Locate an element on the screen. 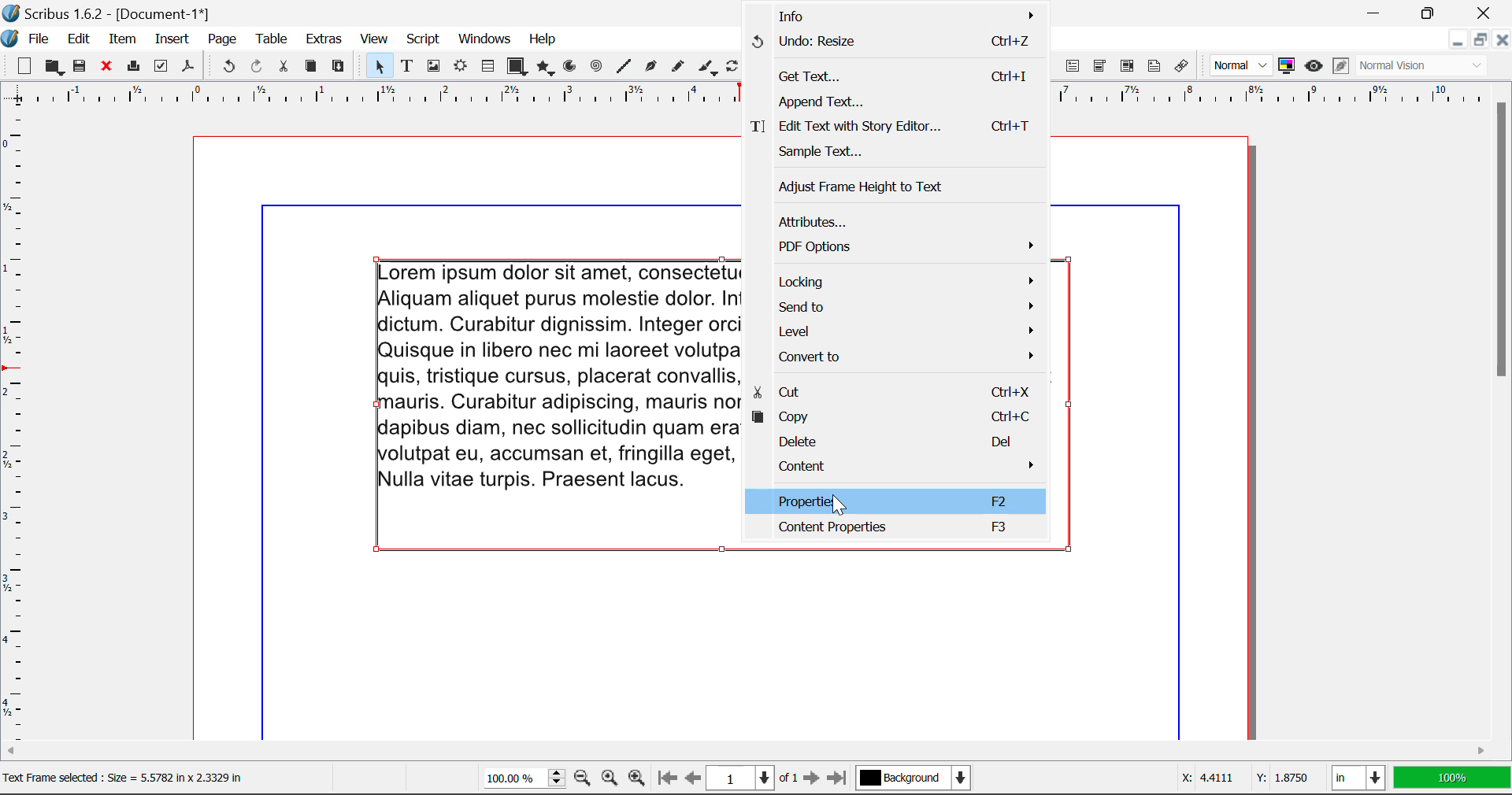 The height and width of the screenshot is (795, 1512). Visual Appearance Type is located at coordinates (1423, 67).